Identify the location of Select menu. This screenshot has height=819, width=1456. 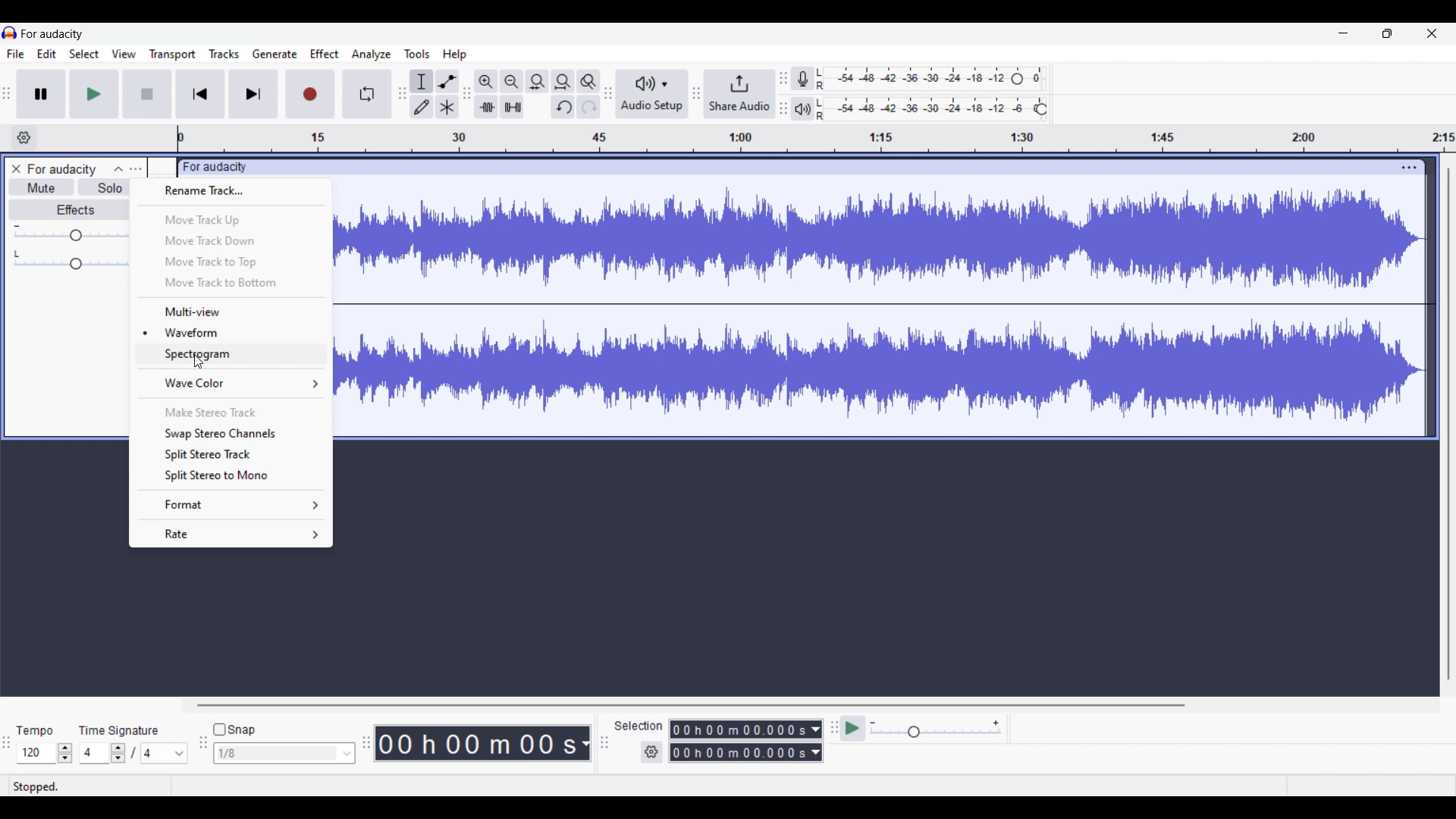
(84, 54).